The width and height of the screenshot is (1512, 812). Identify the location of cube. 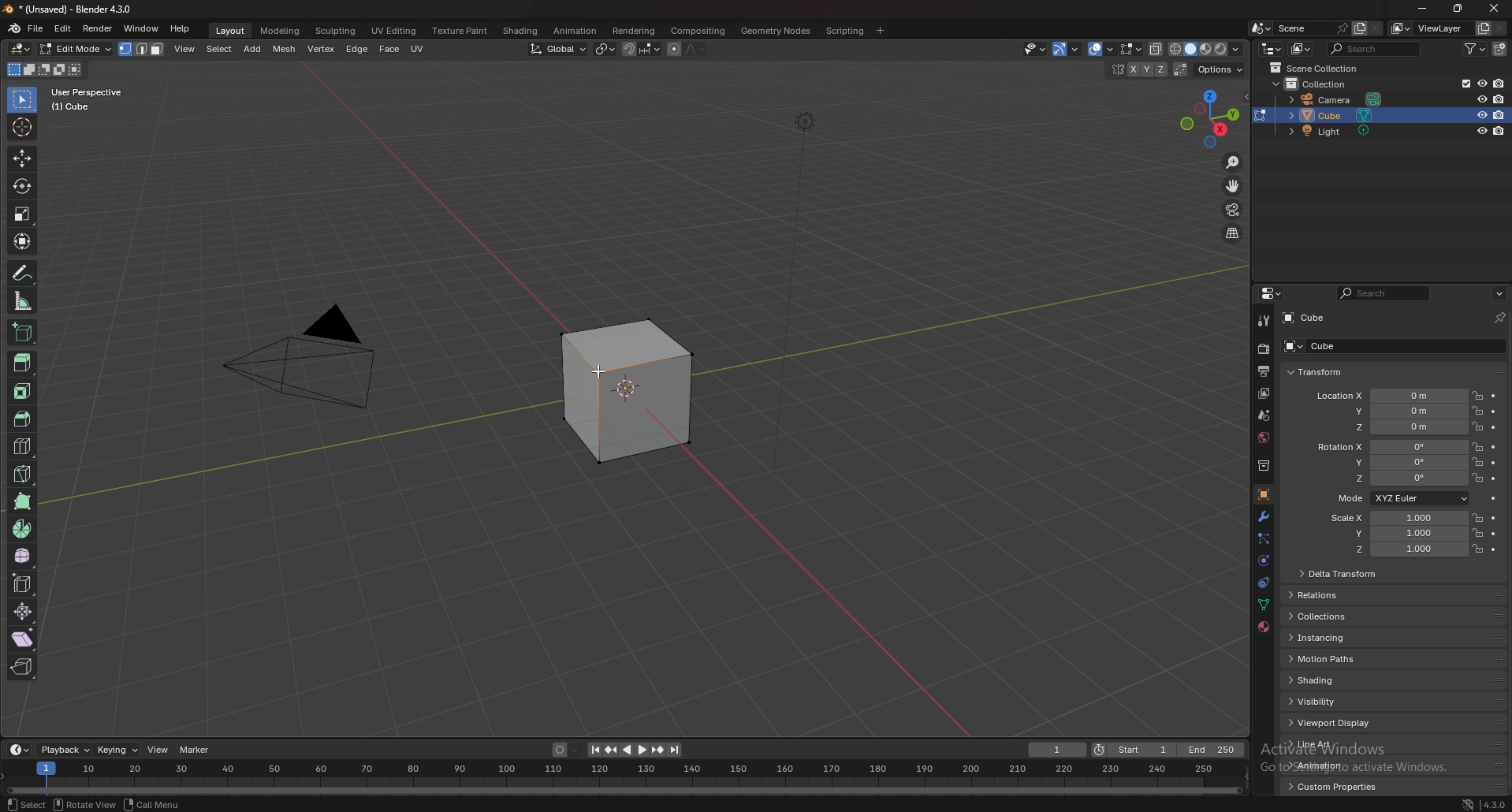
(1388, 346).